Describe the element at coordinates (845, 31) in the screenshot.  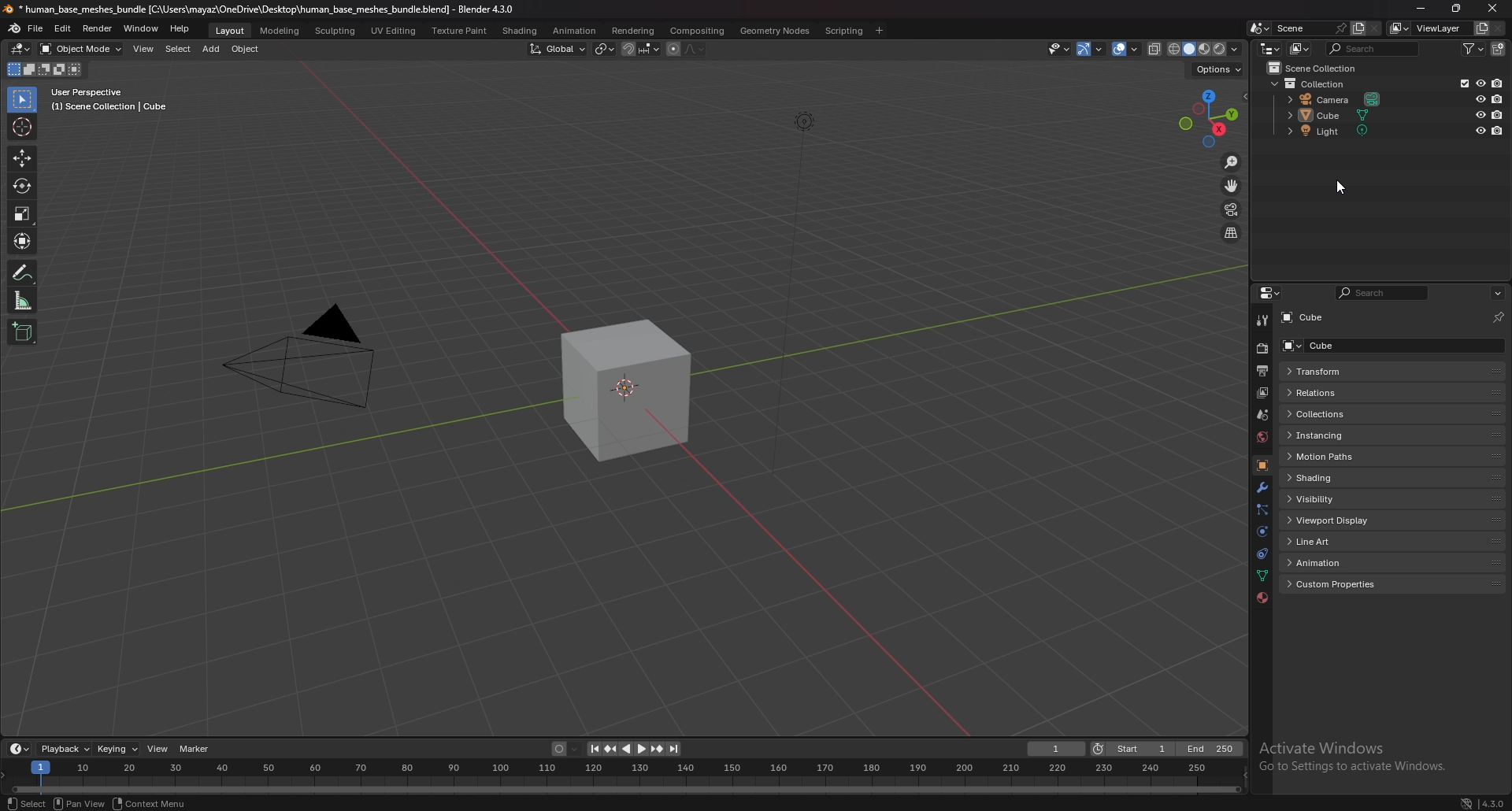
I see `scripting` at that location.